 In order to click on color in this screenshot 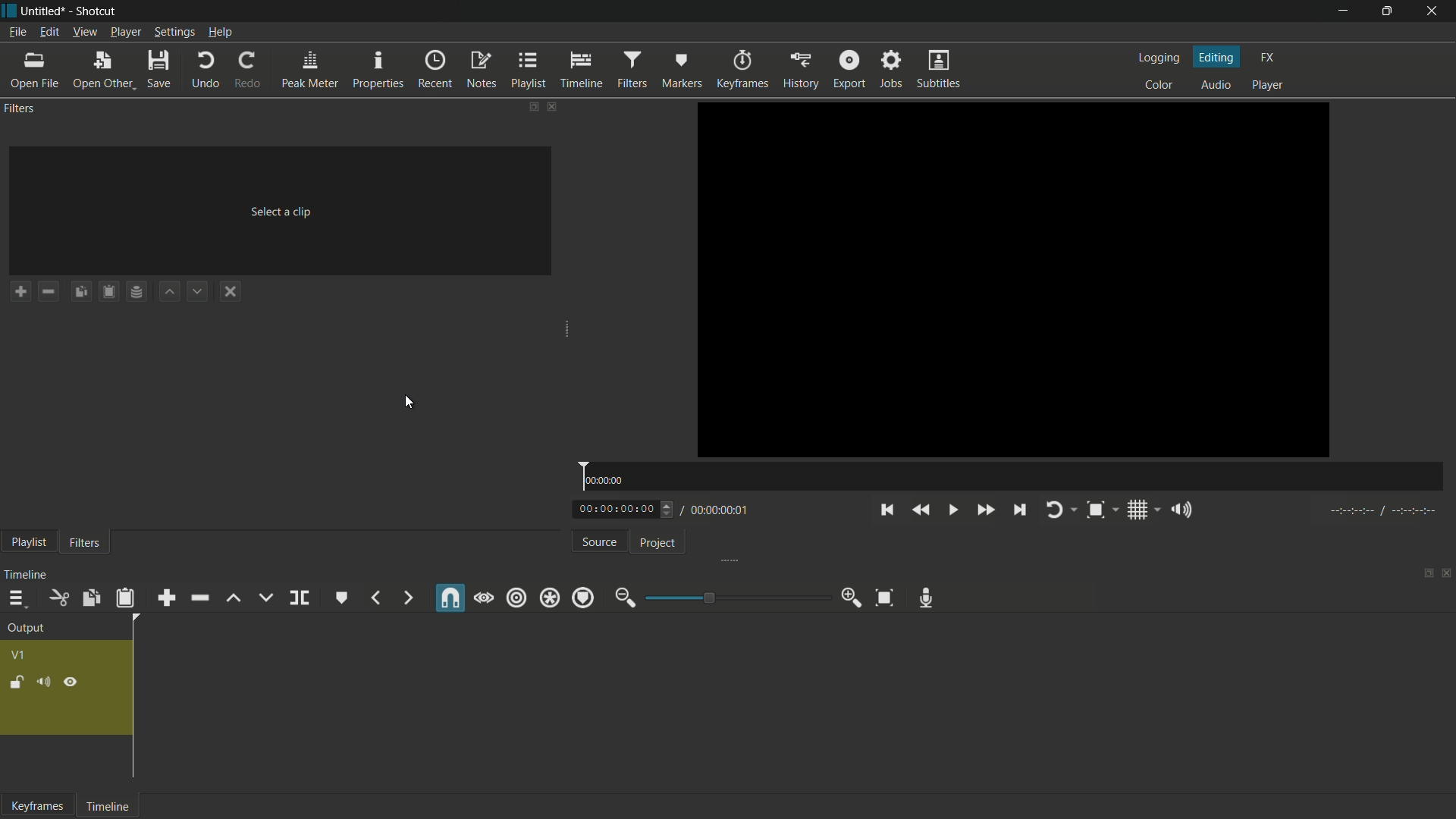, I will do `click(1159, 85)`.